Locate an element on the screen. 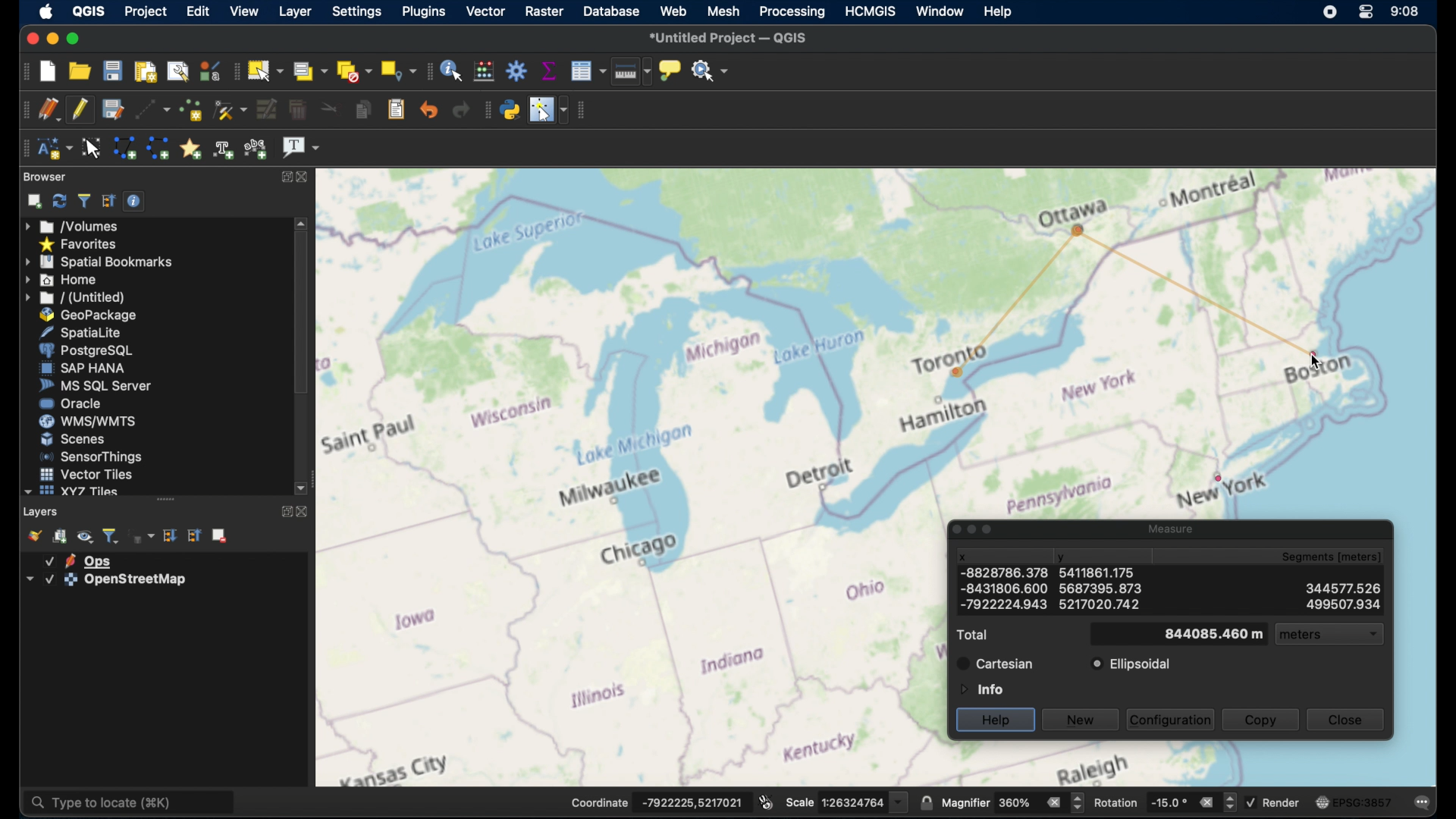  toolbox is located at coordinates (518, 70).